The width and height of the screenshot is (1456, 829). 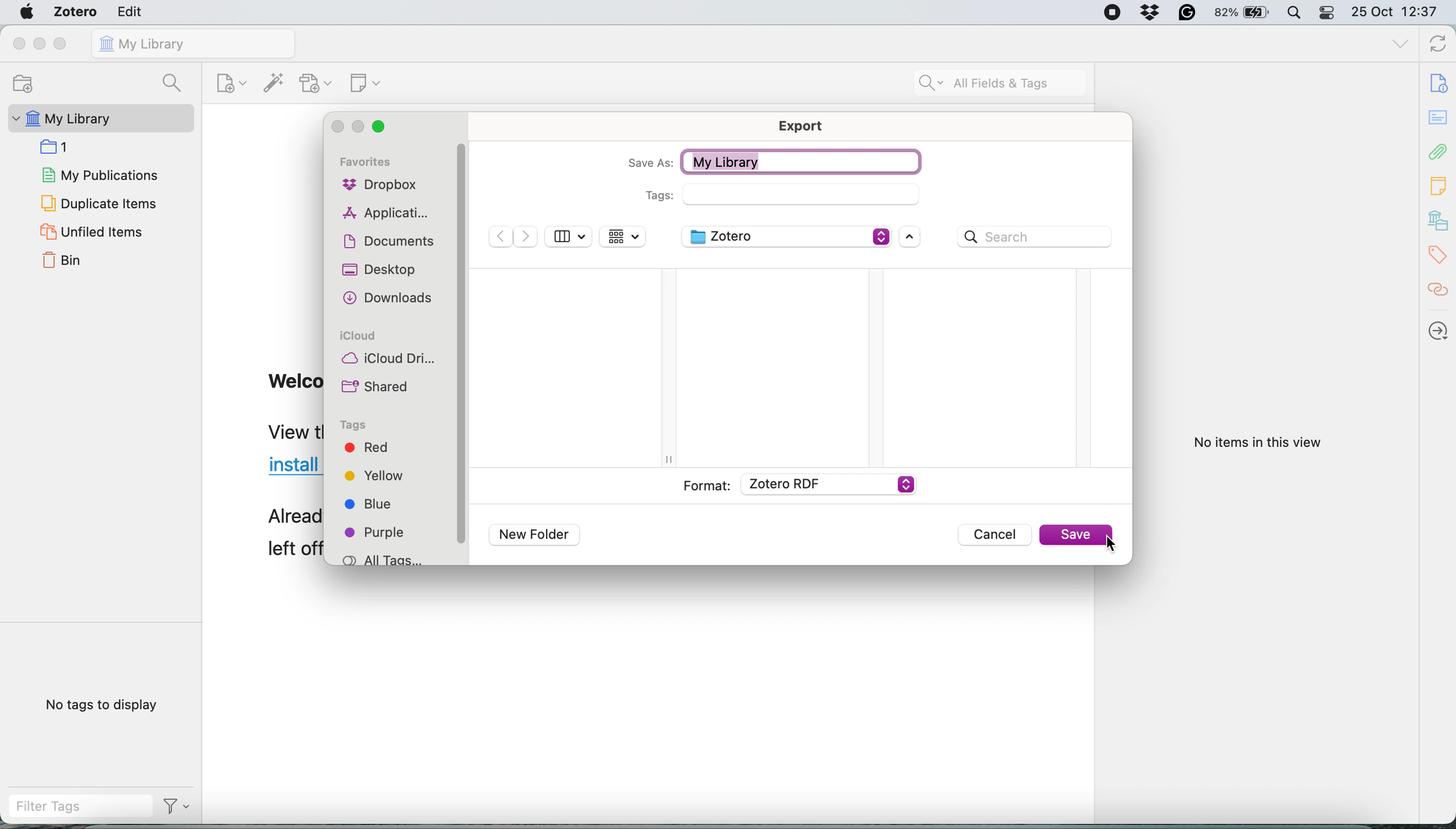 What do you see at coordinates (98, 175) in the screenshot?
I see `my publications` at bounding box center [98, 175].